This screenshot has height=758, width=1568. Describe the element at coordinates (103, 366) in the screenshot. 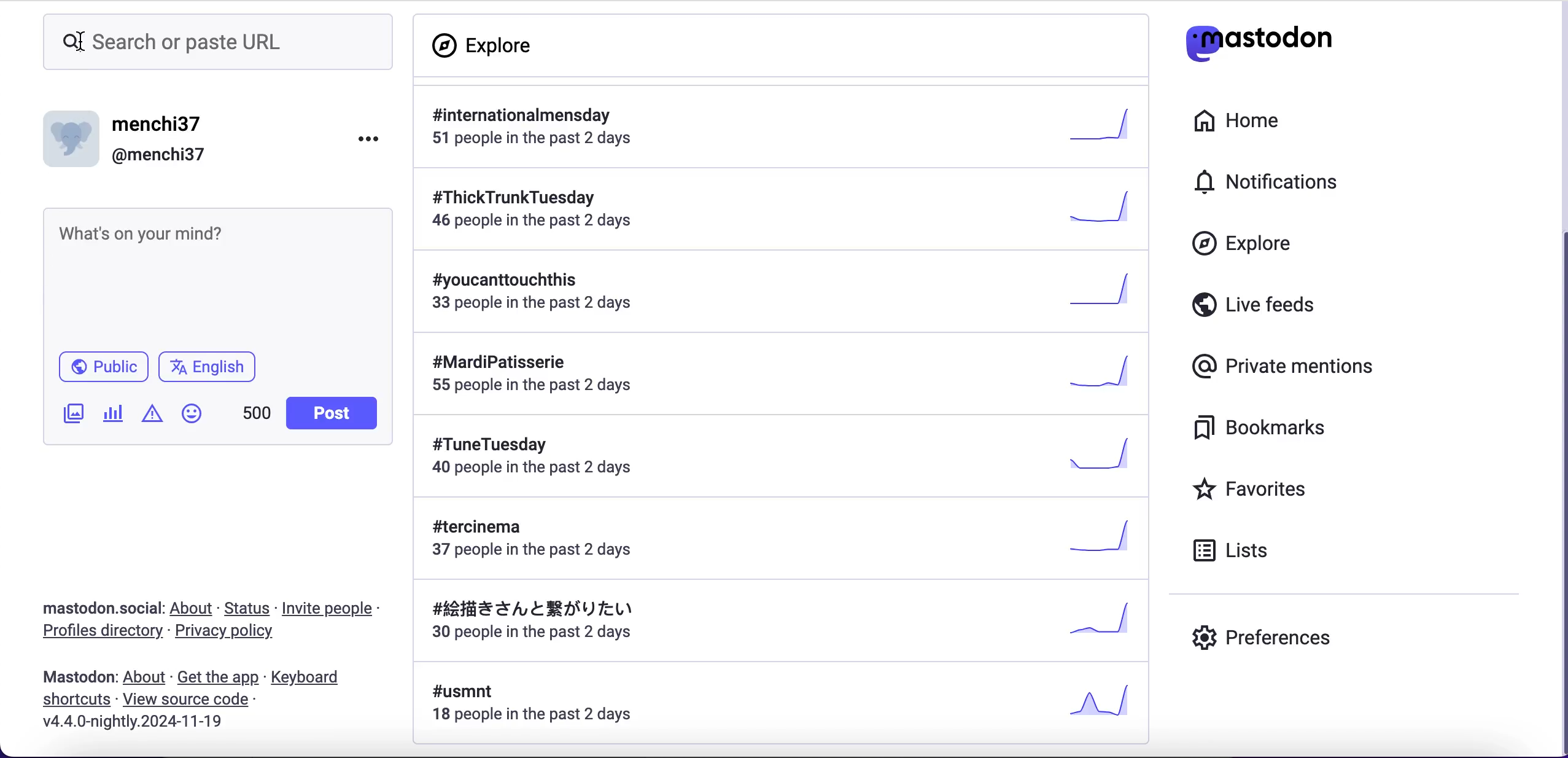

I see `public` at that location.